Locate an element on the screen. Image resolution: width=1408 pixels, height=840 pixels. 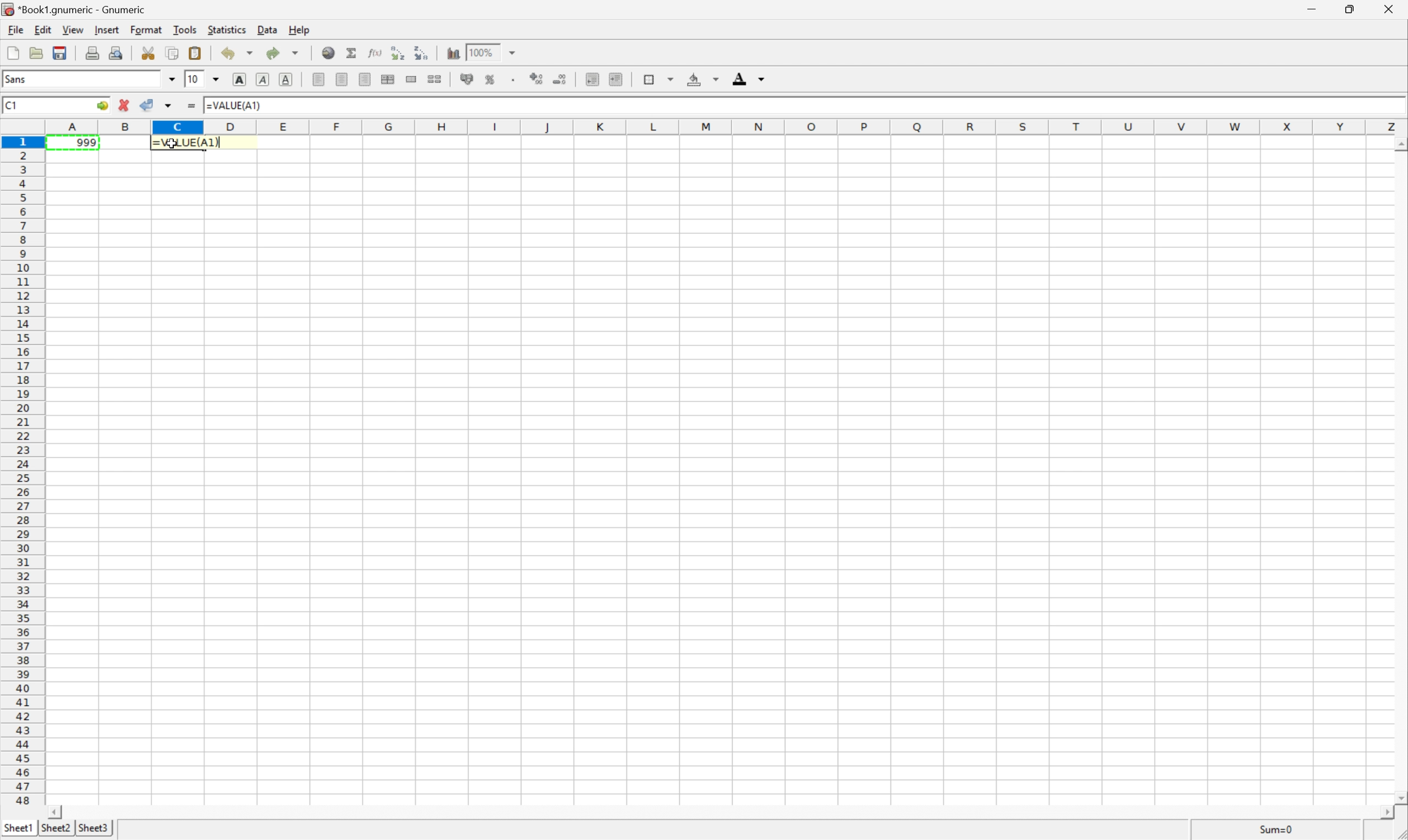
file is located at coordinates (14, 31).